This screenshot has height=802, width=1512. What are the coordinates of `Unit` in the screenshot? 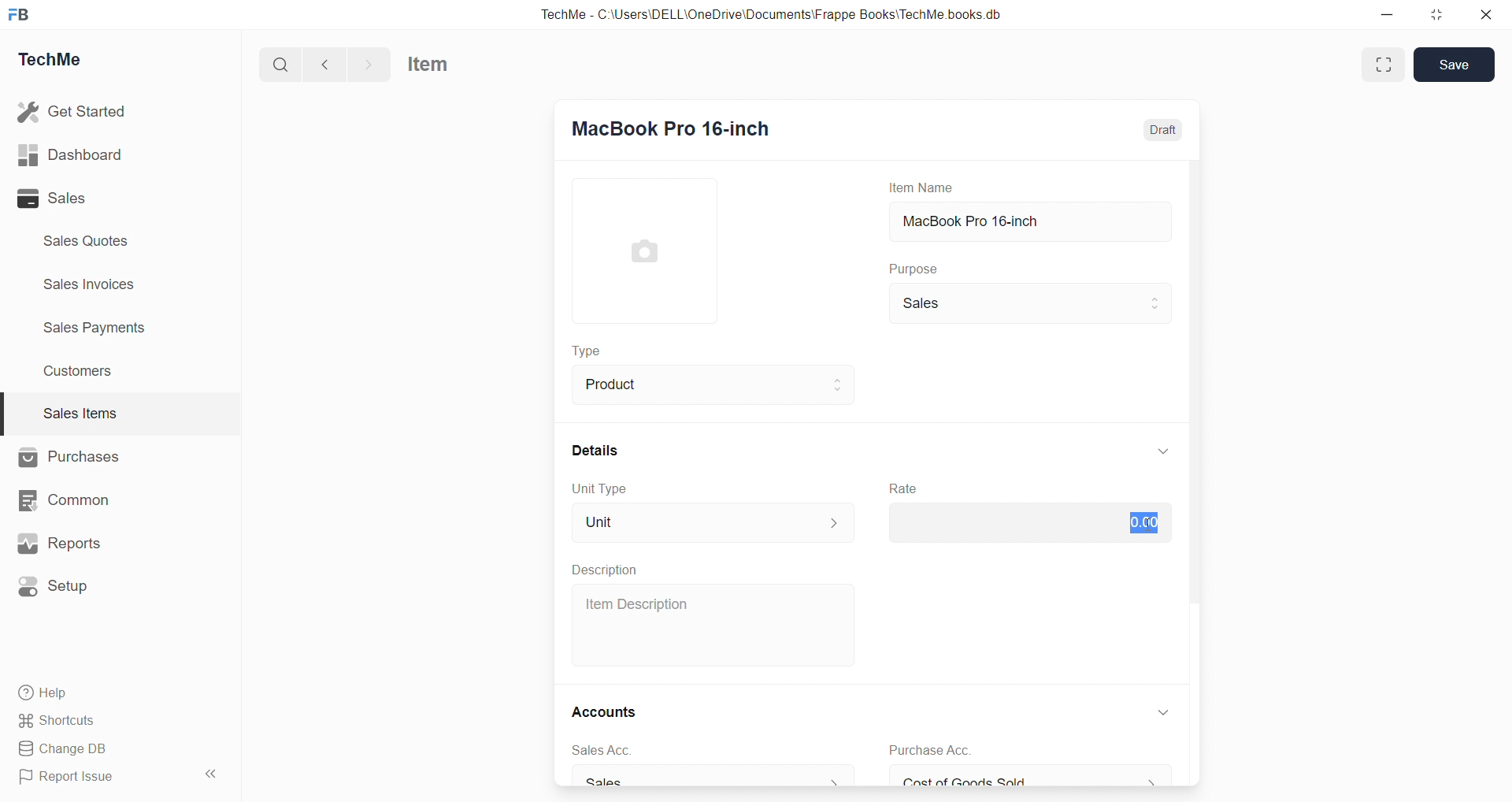 It's located at (713, 522).